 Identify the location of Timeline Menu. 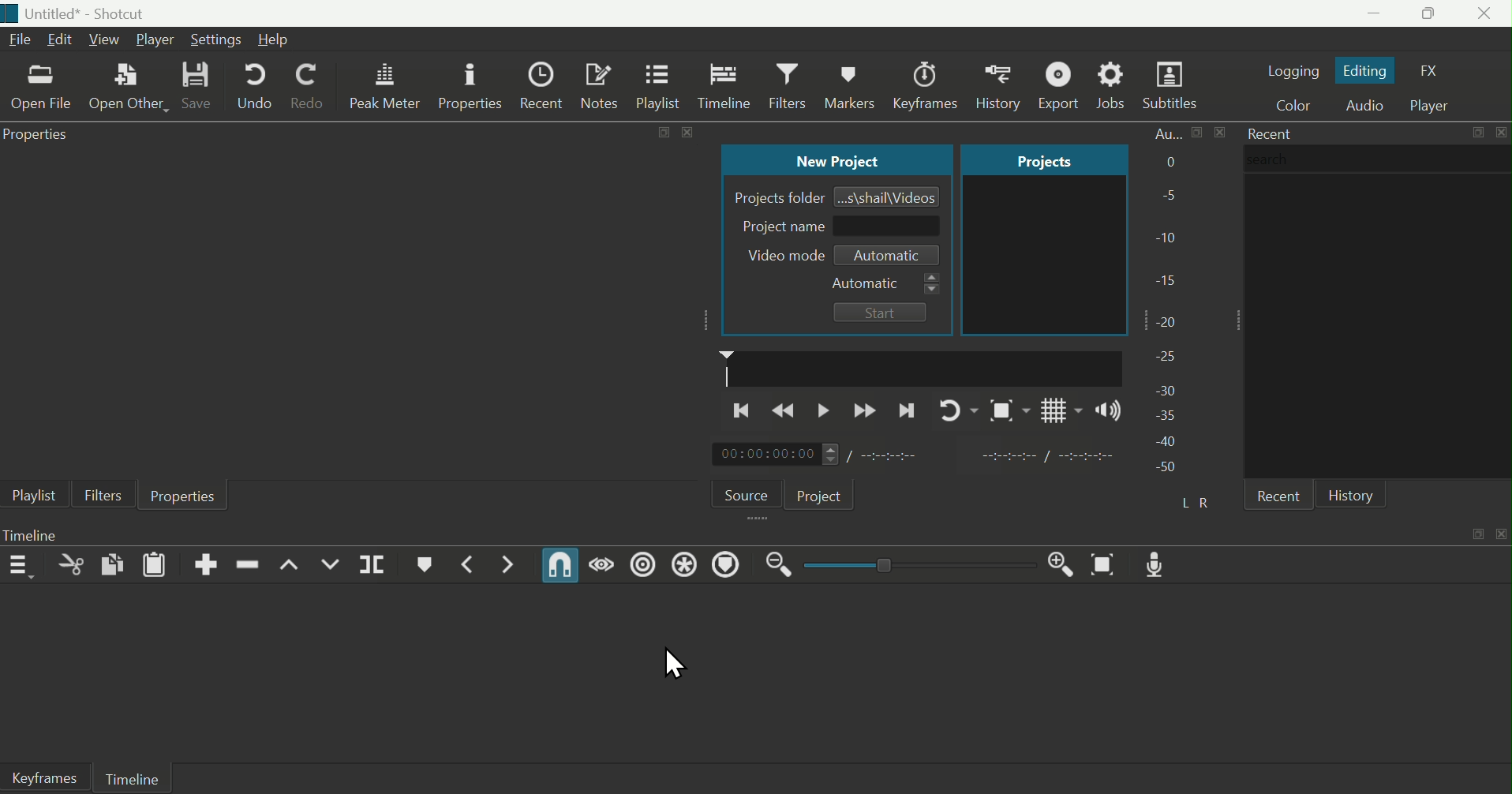
(22, 565).